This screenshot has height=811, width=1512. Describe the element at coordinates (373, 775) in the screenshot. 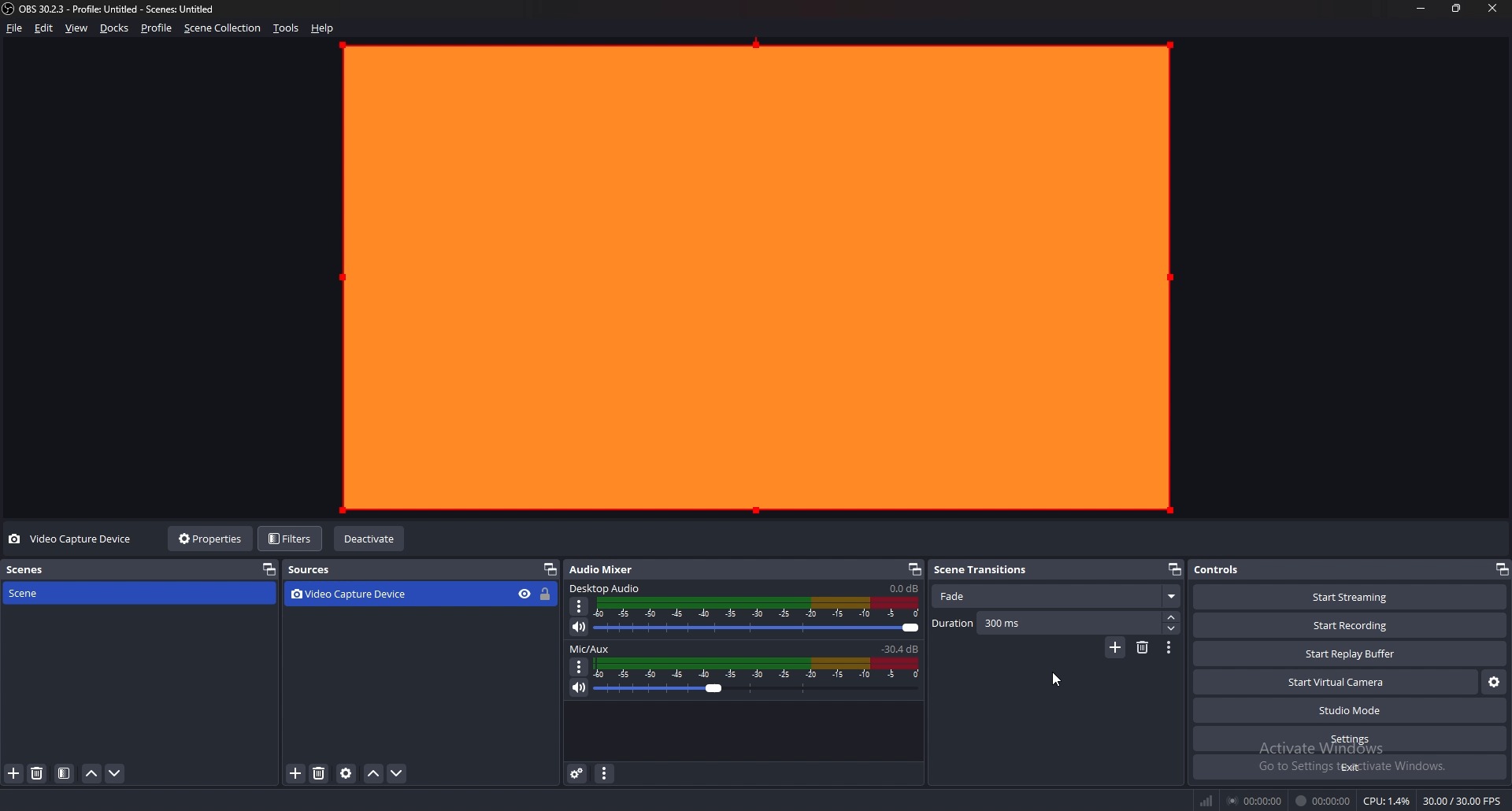

I see `move source up` at that location.